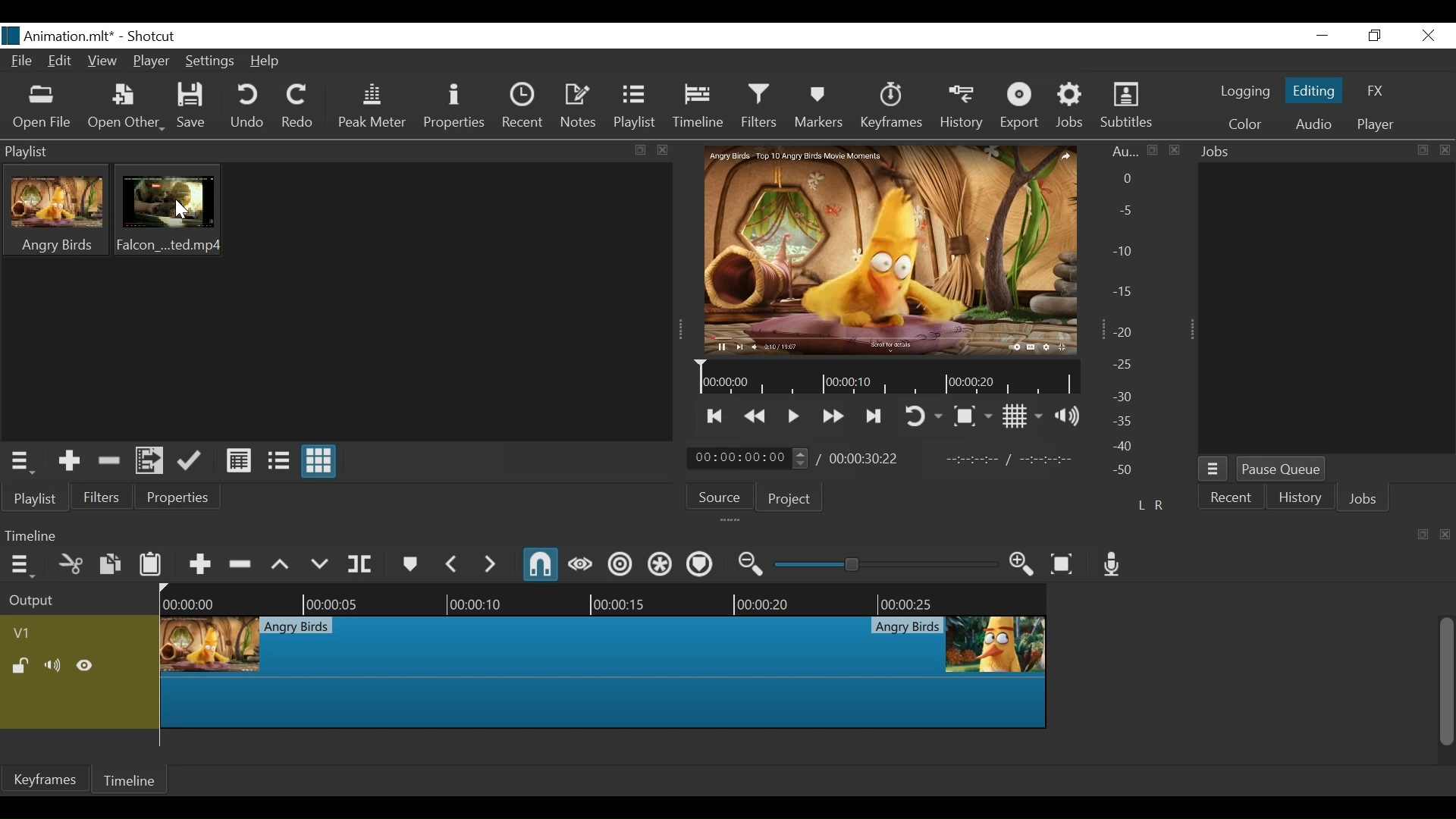 This screenshot has height=819, width=1456. What do you see at coordinates (1325, 36) in the screenshot?
I see `minimize` at bounding box center [1325, 36].